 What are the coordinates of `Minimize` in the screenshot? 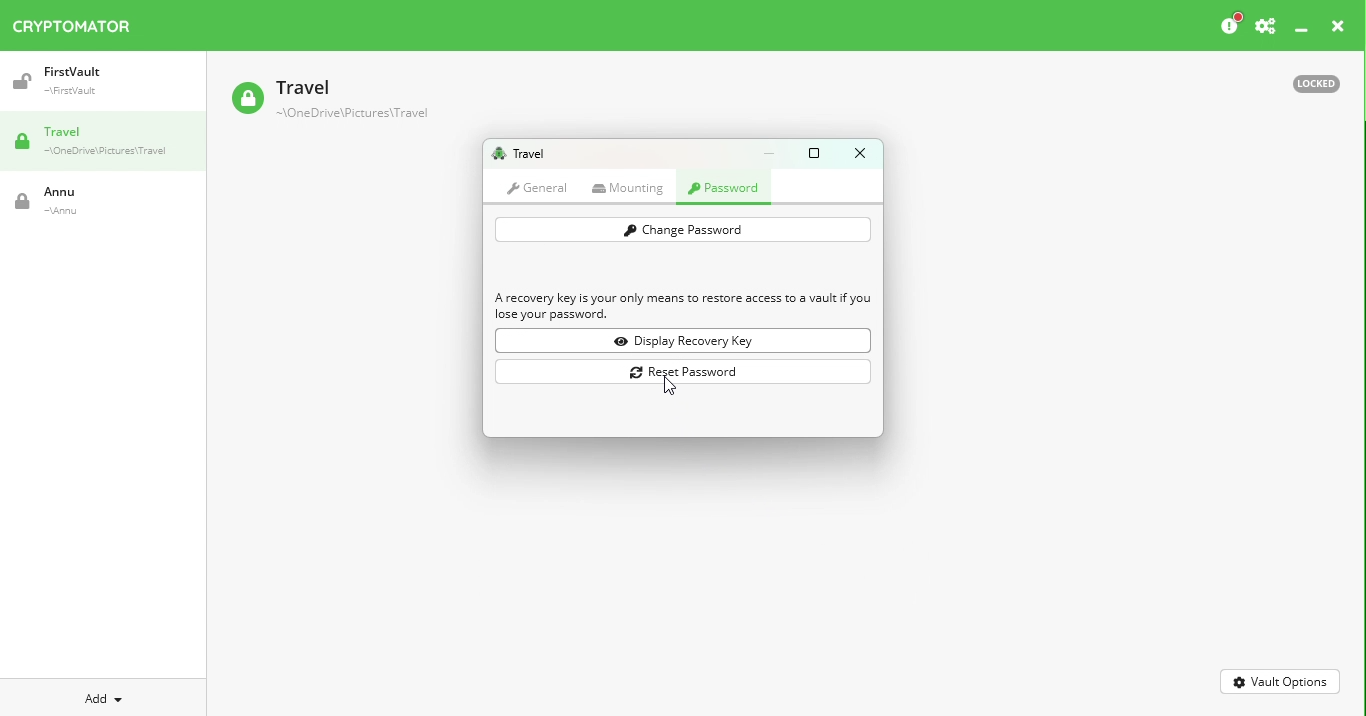 It's located at (774, 153).